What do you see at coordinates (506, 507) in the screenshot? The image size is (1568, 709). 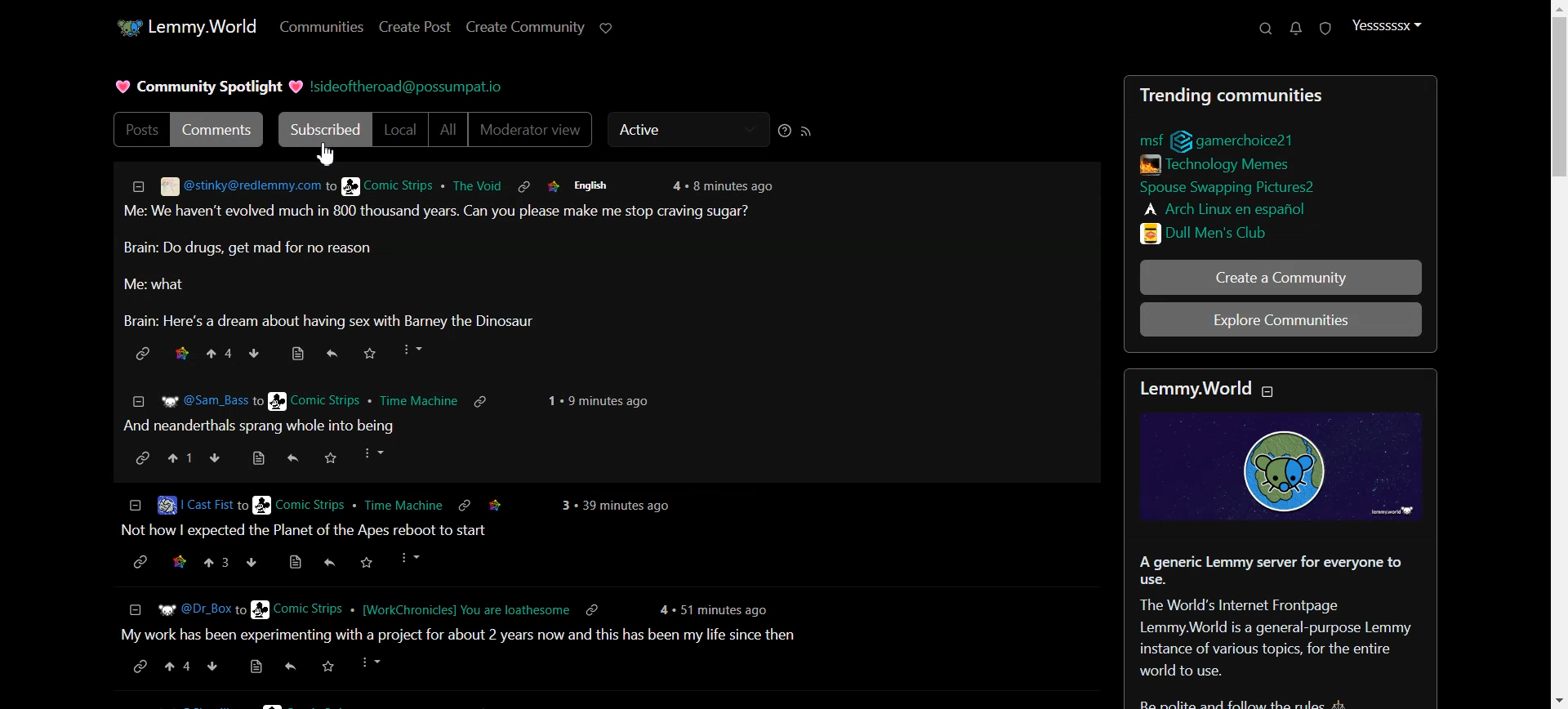 I see `starred` at bounding box center [506, 507].